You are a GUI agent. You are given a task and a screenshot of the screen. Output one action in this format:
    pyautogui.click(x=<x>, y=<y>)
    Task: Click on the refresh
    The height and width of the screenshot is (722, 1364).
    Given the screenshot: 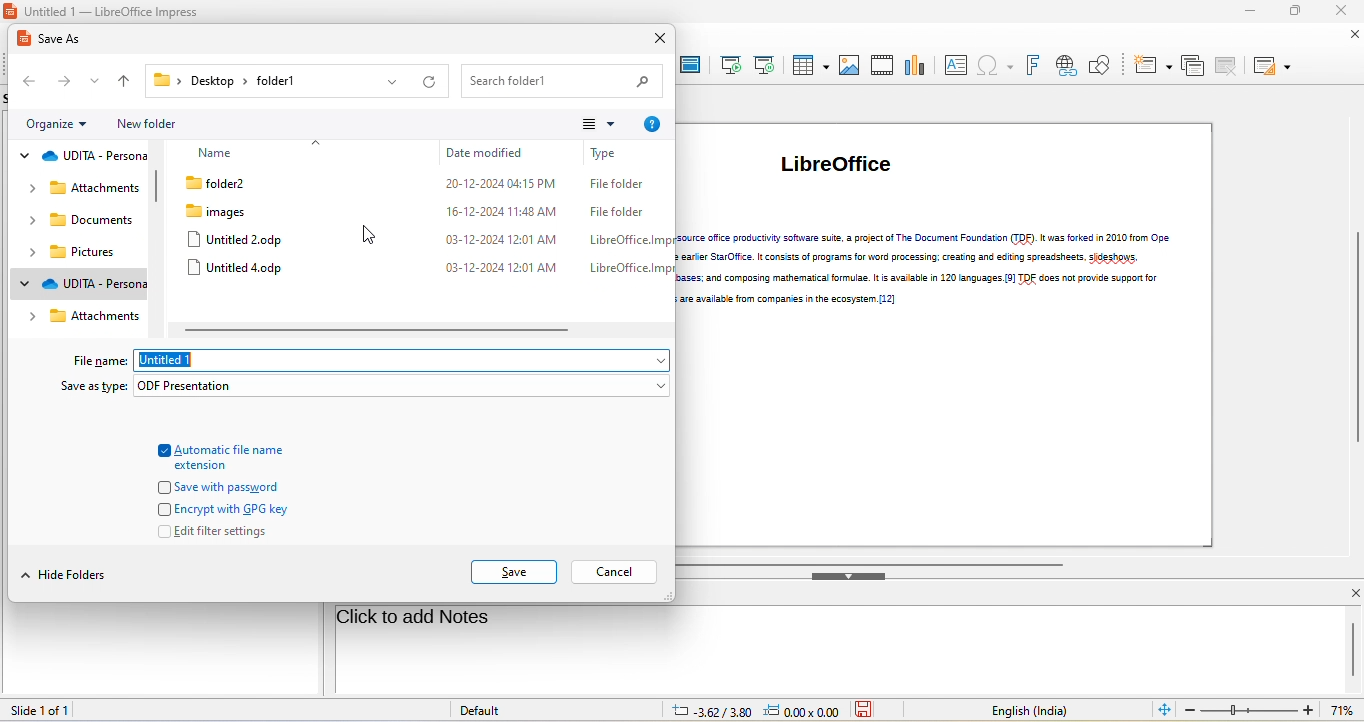 What is the action you would take?
    pyautogui.click(x=428, y=83)
    